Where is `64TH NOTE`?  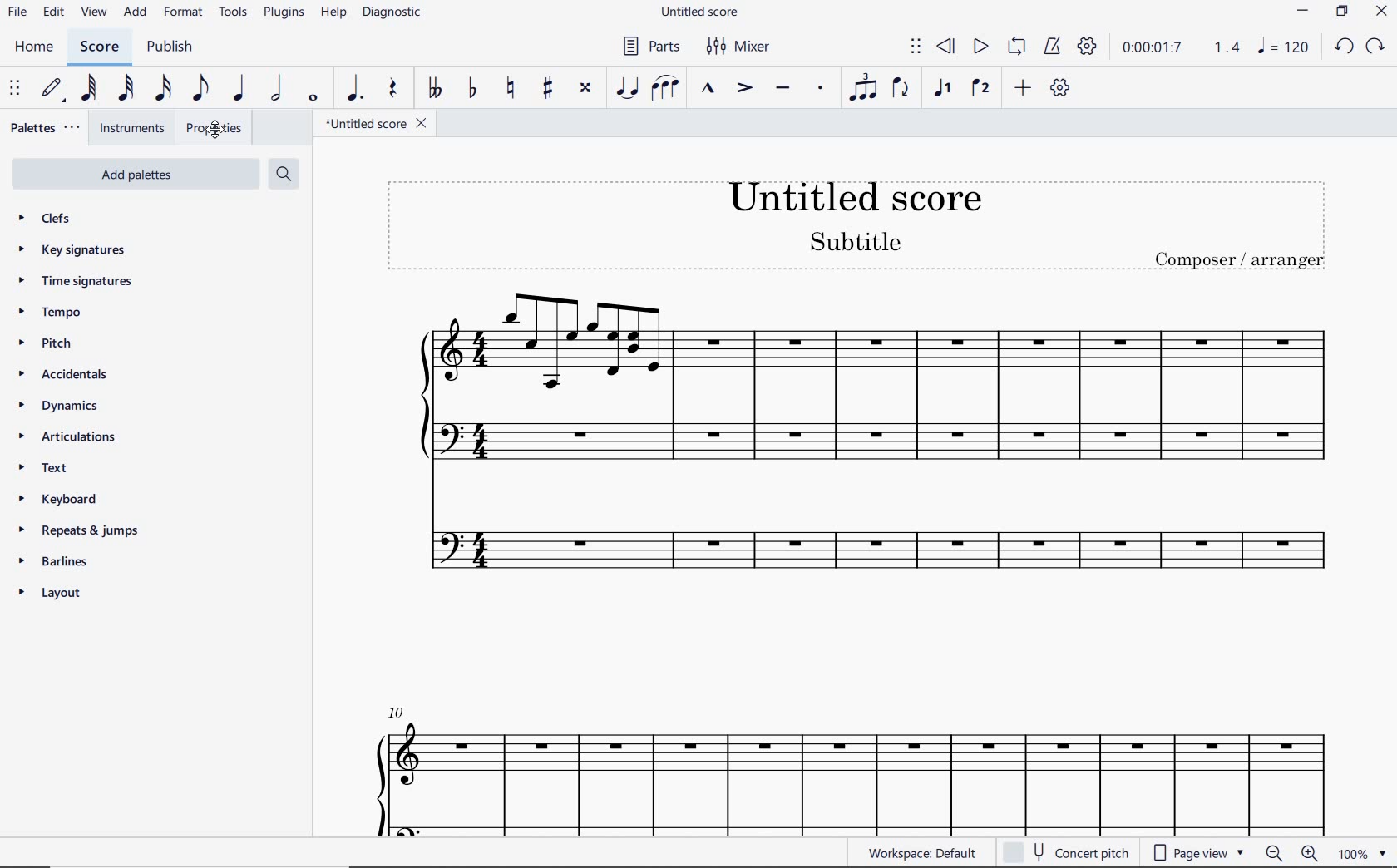
64TH NOTE is located at coordinates (91, 88).